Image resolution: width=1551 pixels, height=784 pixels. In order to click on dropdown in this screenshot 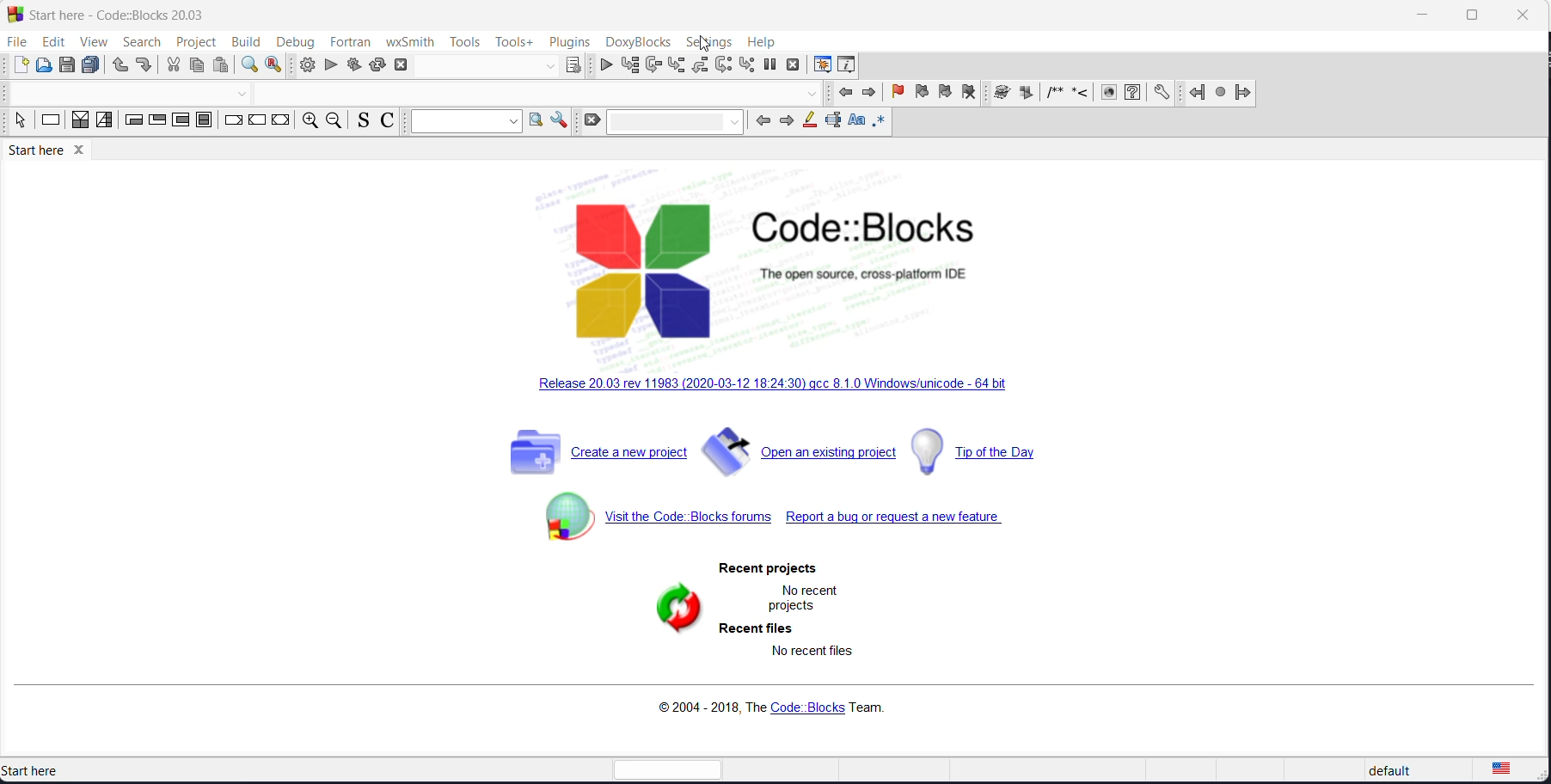, I will do `click(548, 67)`.